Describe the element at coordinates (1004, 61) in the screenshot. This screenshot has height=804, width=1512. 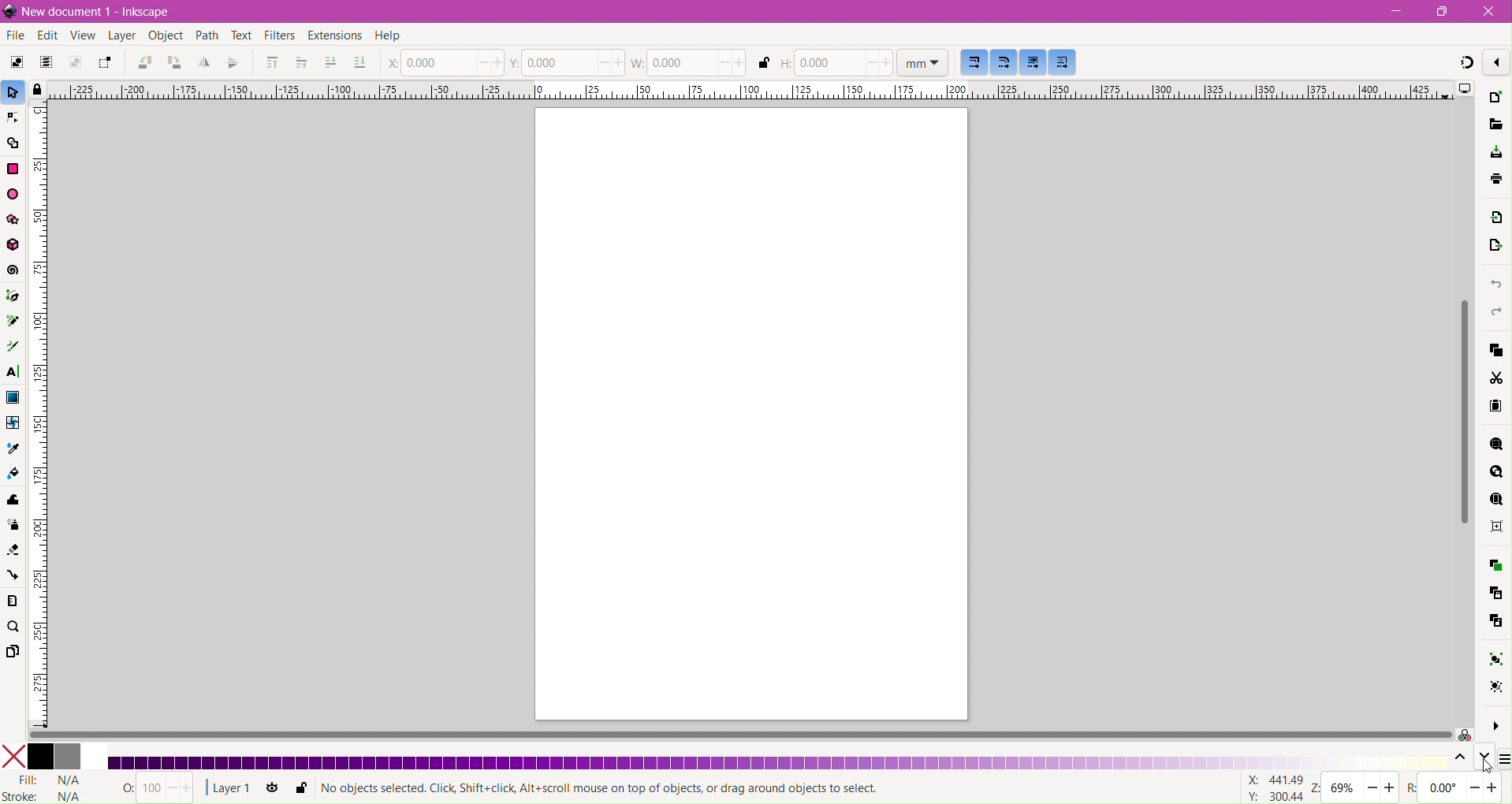
I see `When scaling rectangles, scale the radii of rounded corners` at that location.